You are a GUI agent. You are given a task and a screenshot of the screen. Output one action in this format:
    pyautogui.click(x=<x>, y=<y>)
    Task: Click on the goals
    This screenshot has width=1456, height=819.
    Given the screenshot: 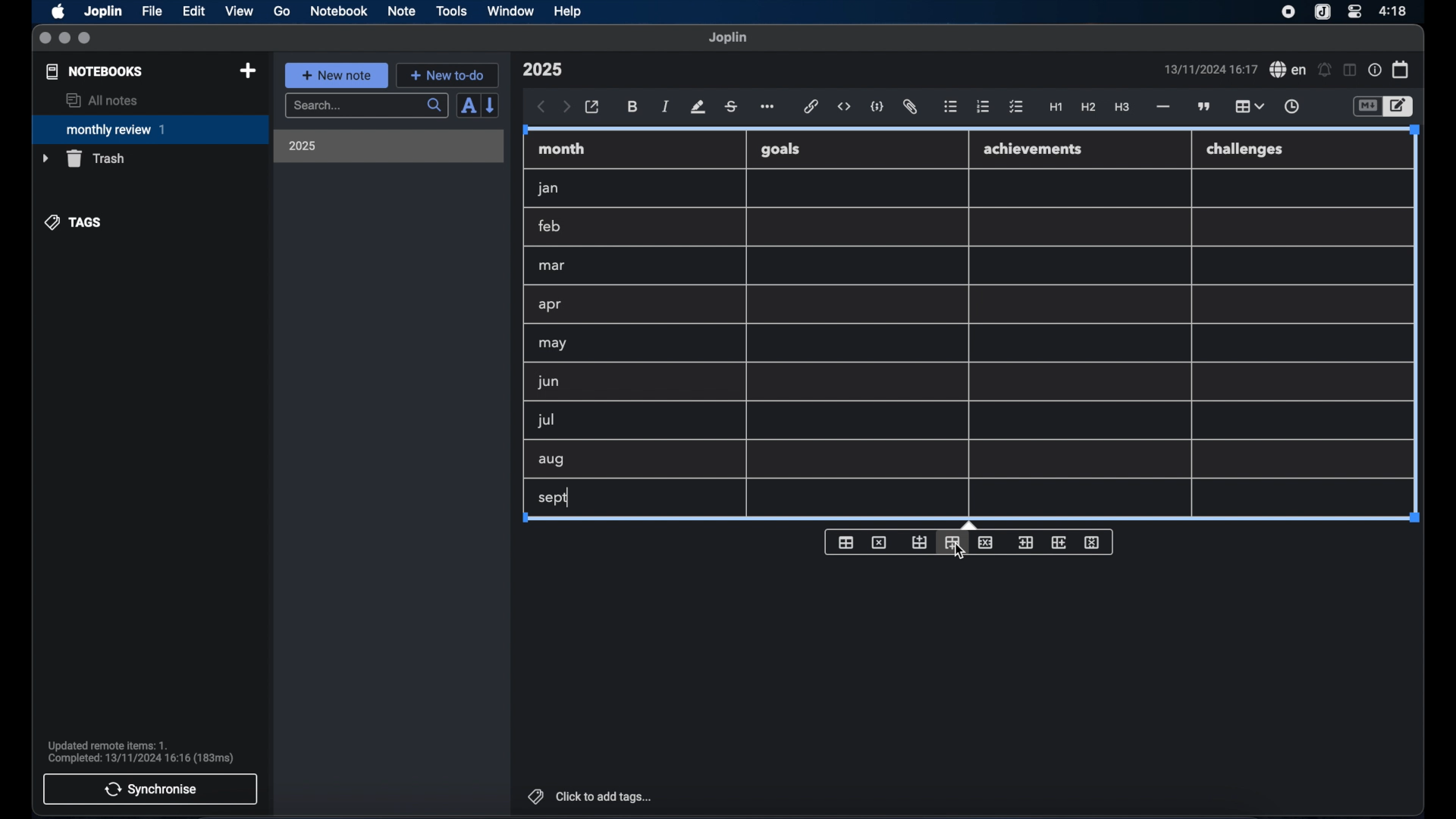 What is the action you would take?
    pyautogui.click(x=780, y=149)
    